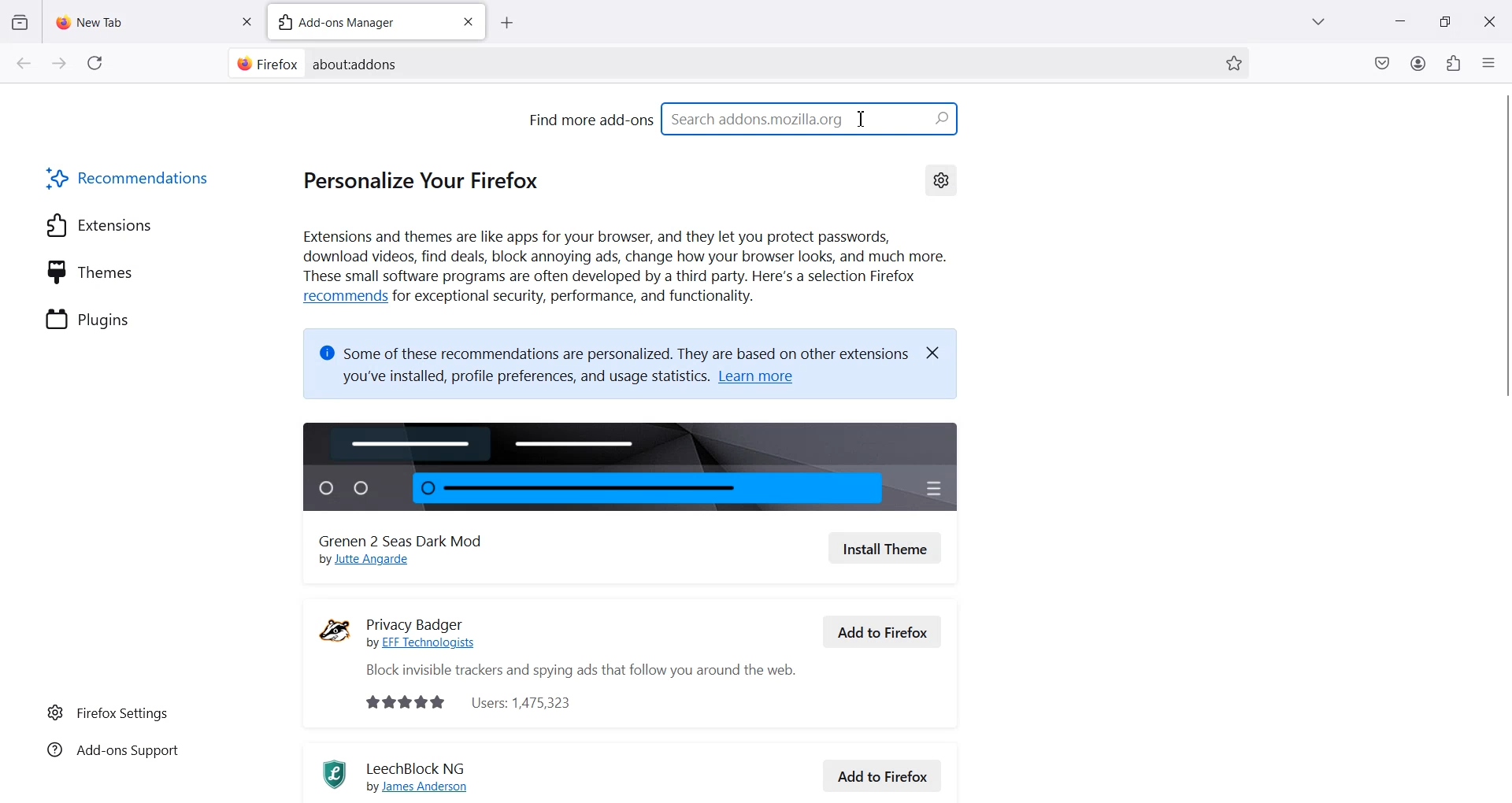 This screenshot has height=803, width=1512. What do you see at coordinates (1490, 59) in the screenshot?
I see `Open Application Menu` at bounding box center [1490, 59].